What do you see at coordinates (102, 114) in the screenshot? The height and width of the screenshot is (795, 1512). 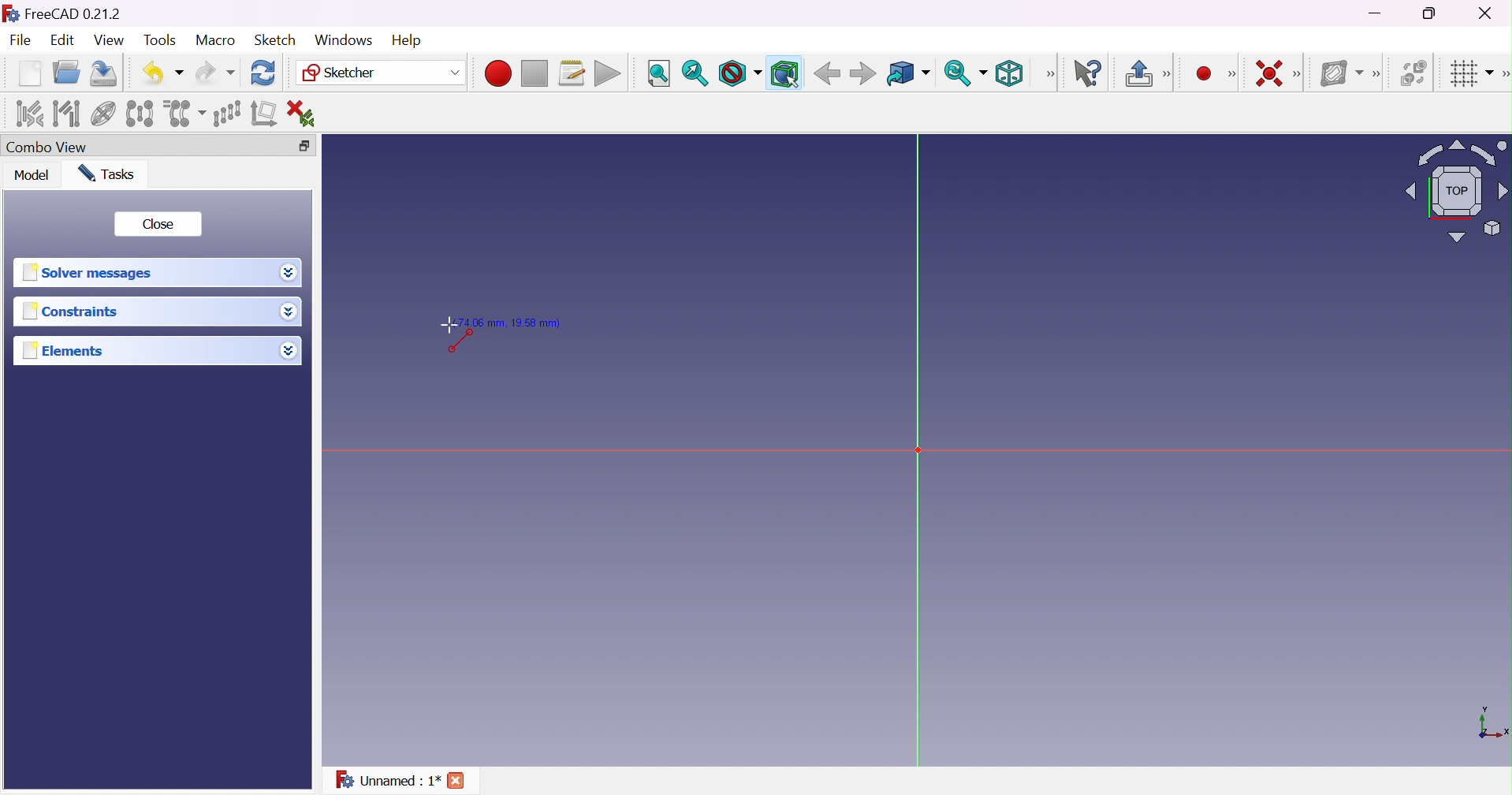 I see `Show/hide internal geometry` at bounding box center [102, 114].